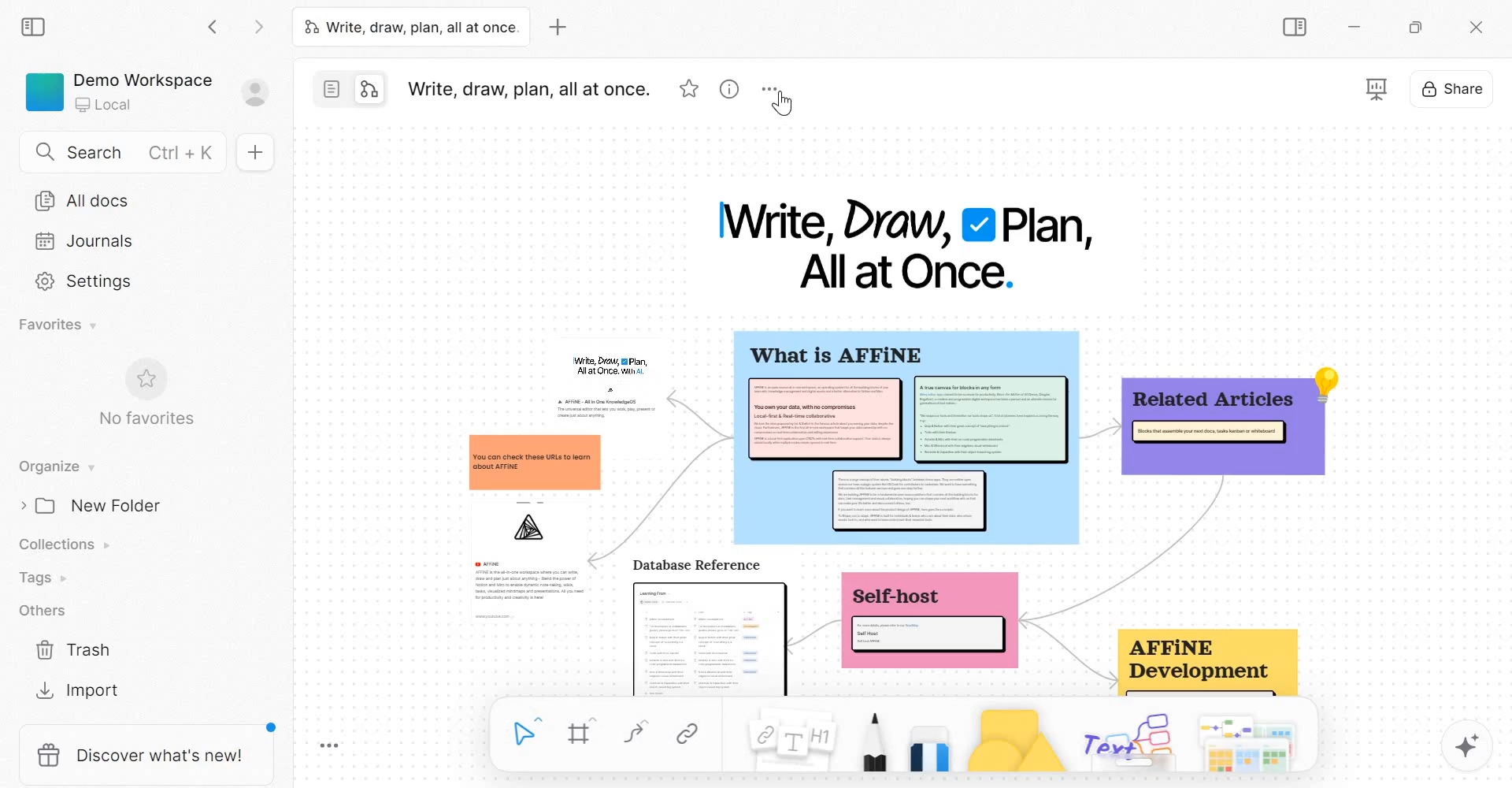 This screenshot has height=788, width=1512. I want to click on page mode, so click(332, 88).